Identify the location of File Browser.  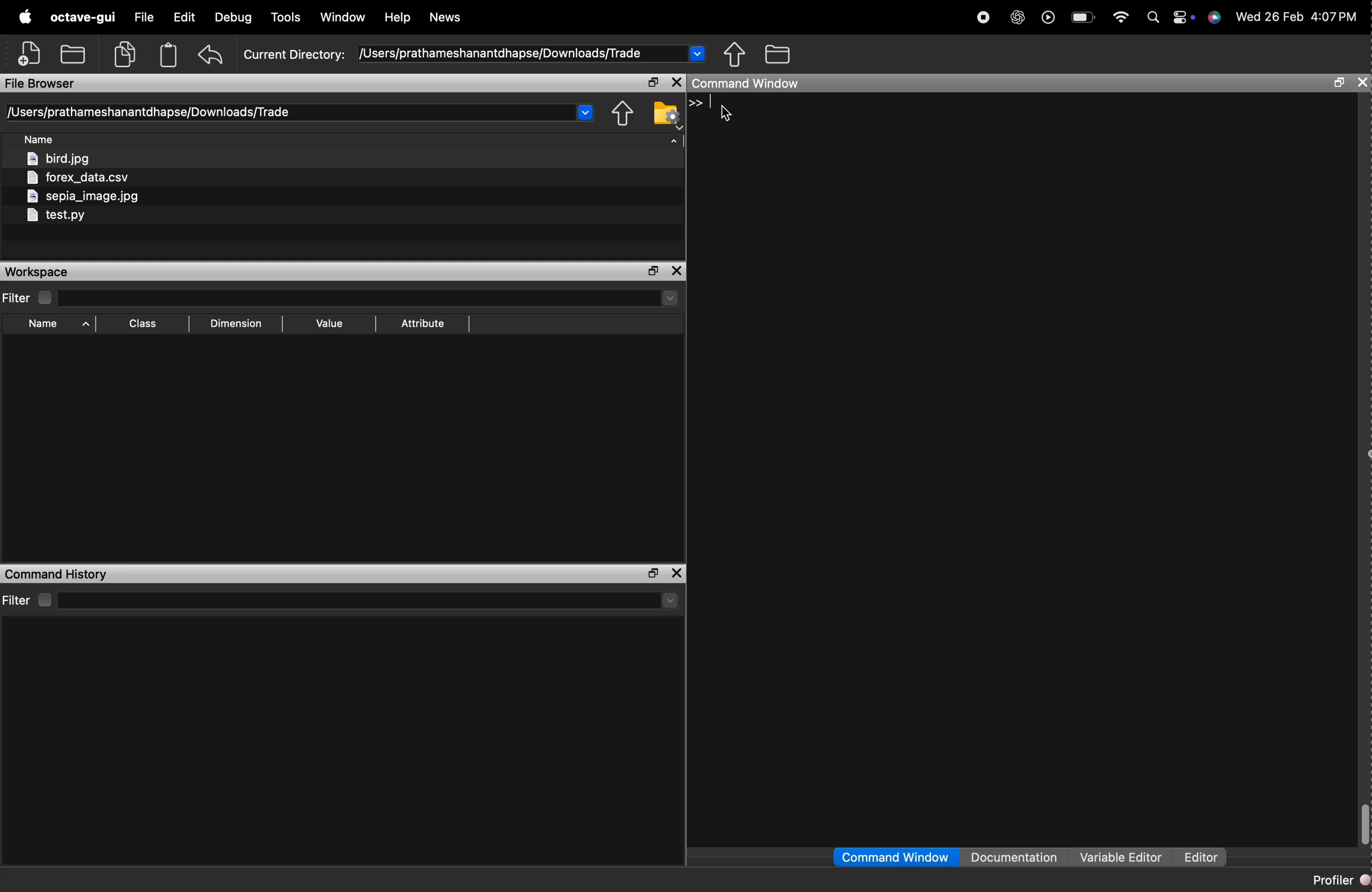
(42, 84).